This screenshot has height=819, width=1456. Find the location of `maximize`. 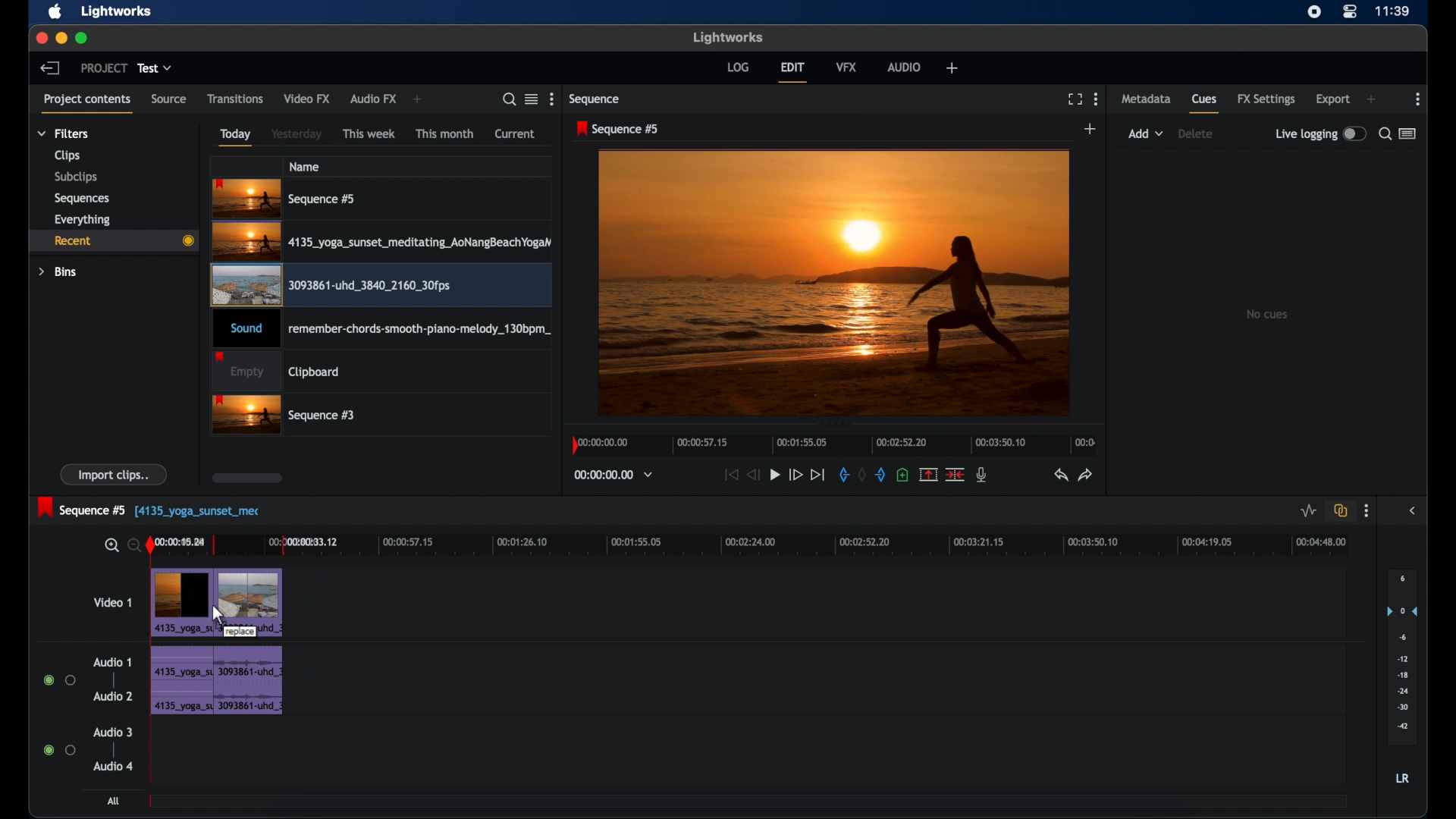

maximize is located at coordinates (82, 38).